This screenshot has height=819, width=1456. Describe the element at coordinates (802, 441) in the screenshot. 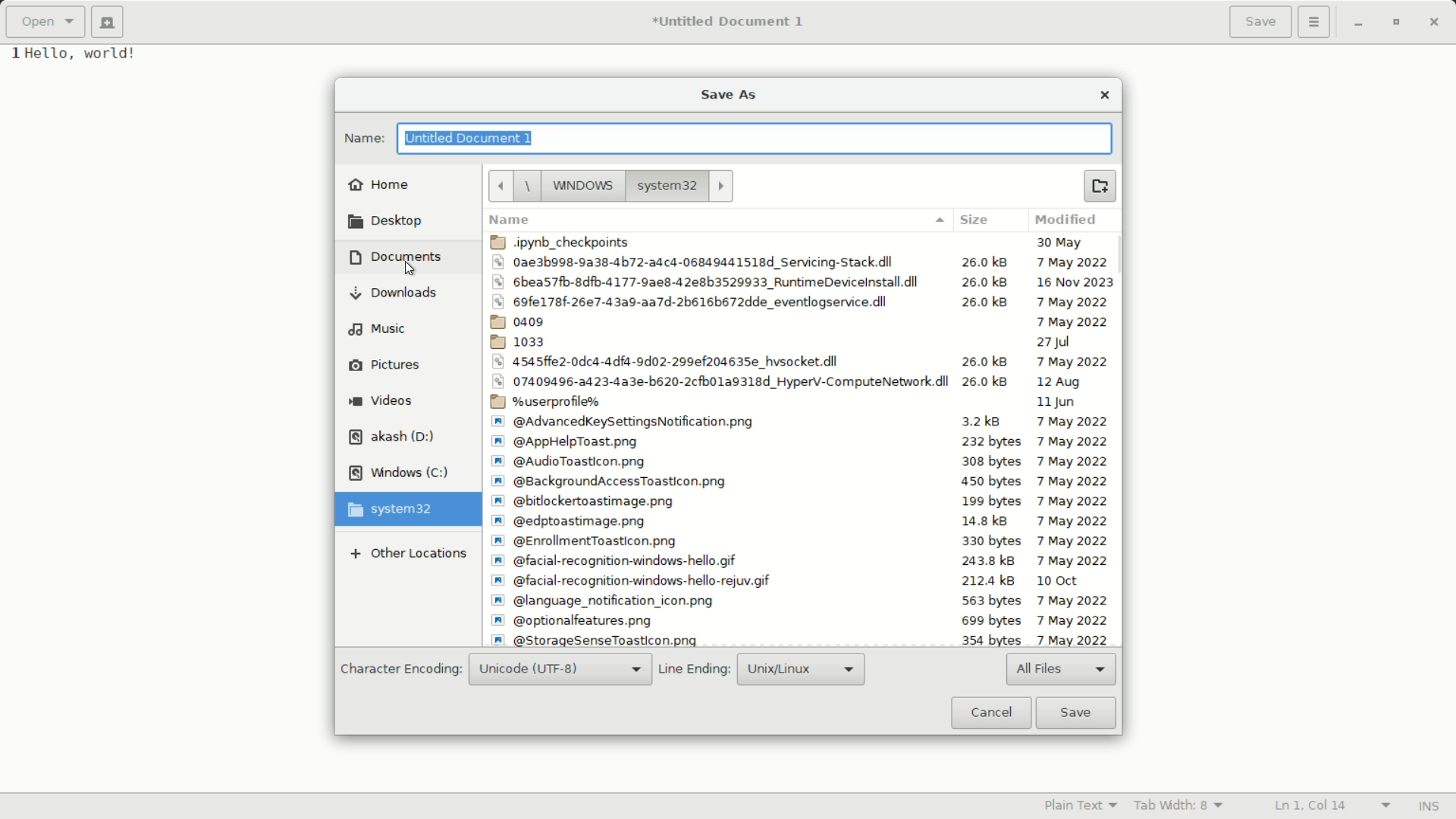

I see `File` at that location.